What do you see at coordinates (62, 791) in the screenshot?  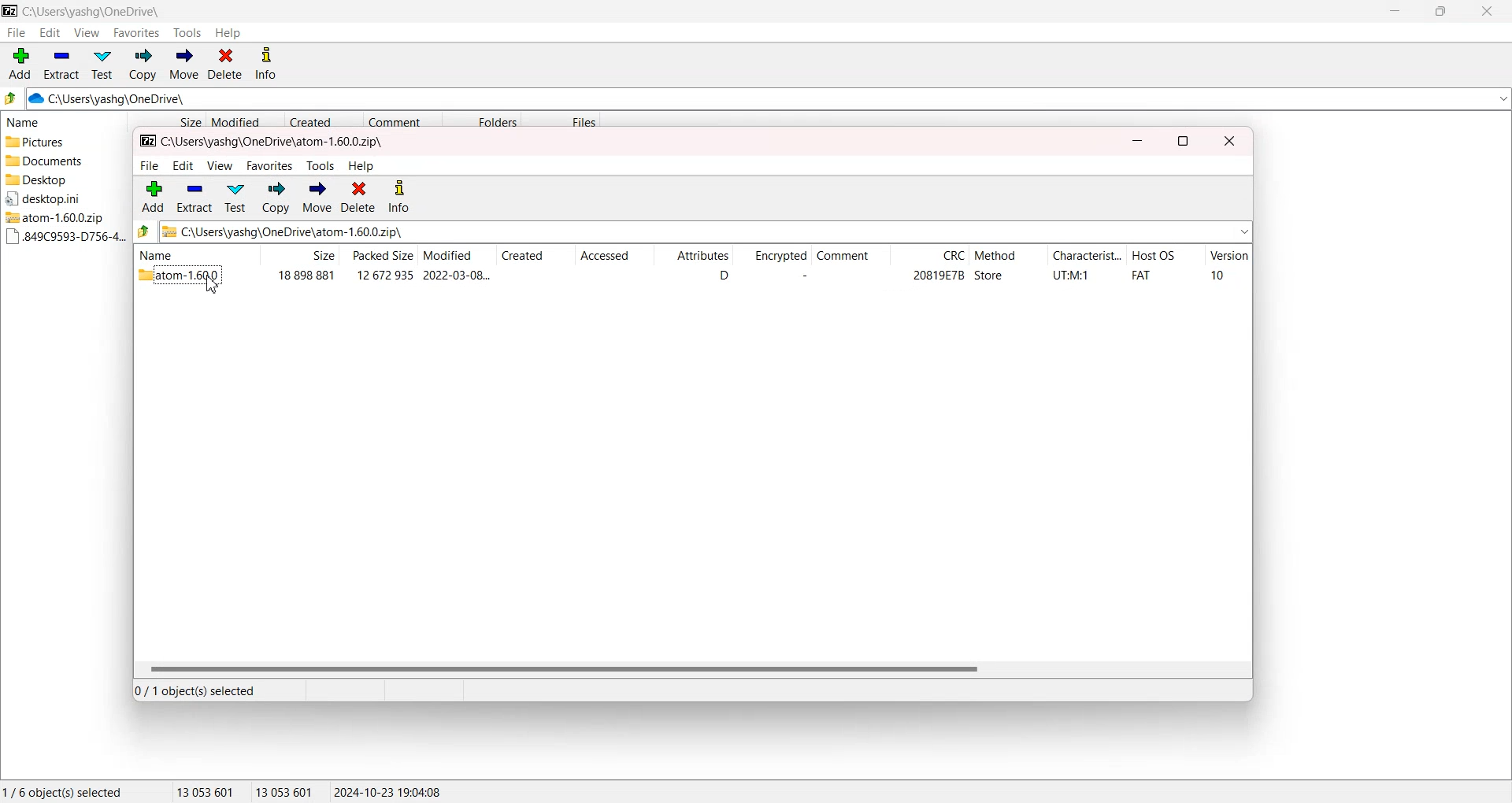 I see `1/6 object(s) selected` at bounding box center [62, 791].